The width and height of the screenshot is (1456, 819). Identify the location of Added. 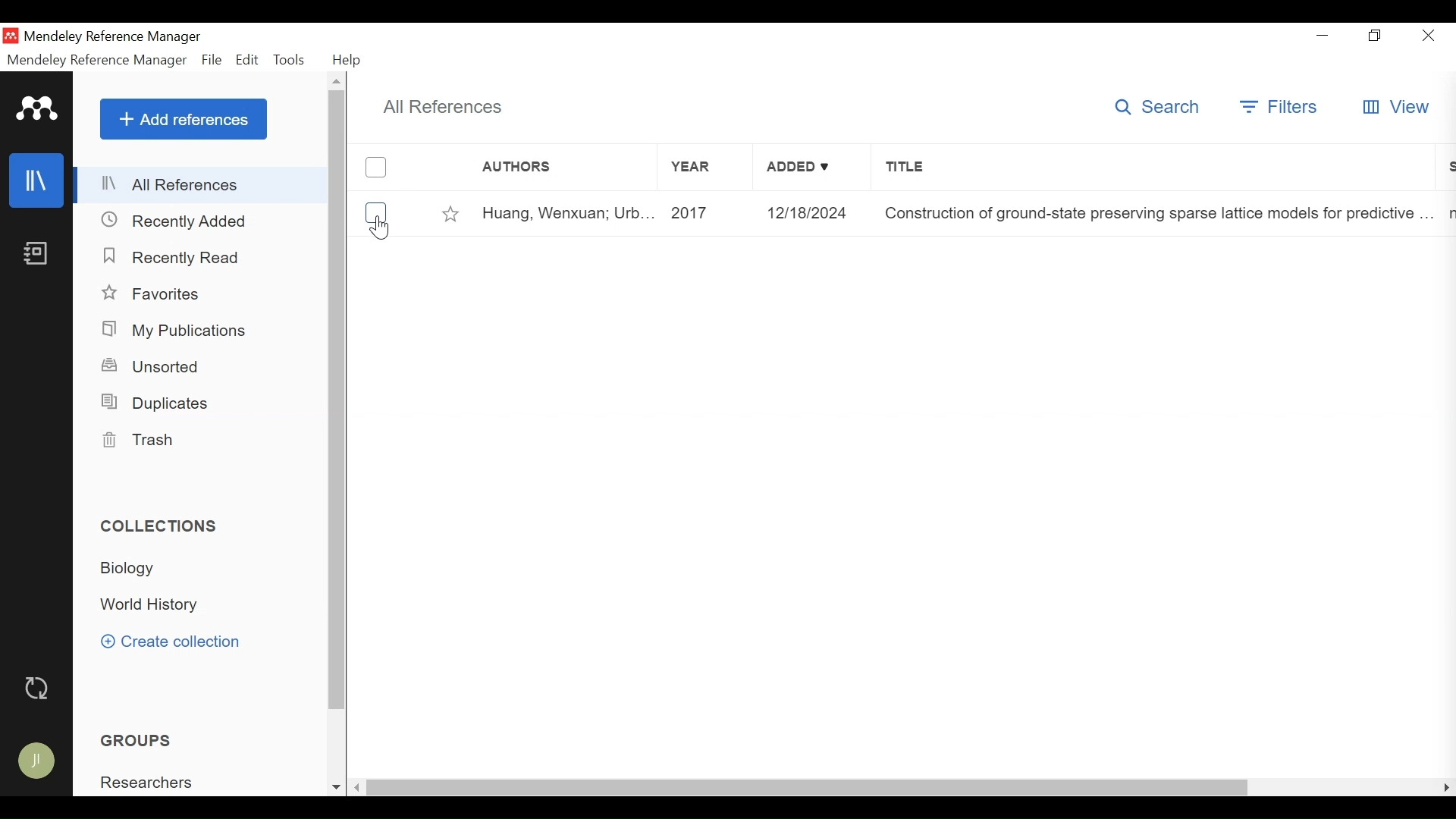
(811, 214).